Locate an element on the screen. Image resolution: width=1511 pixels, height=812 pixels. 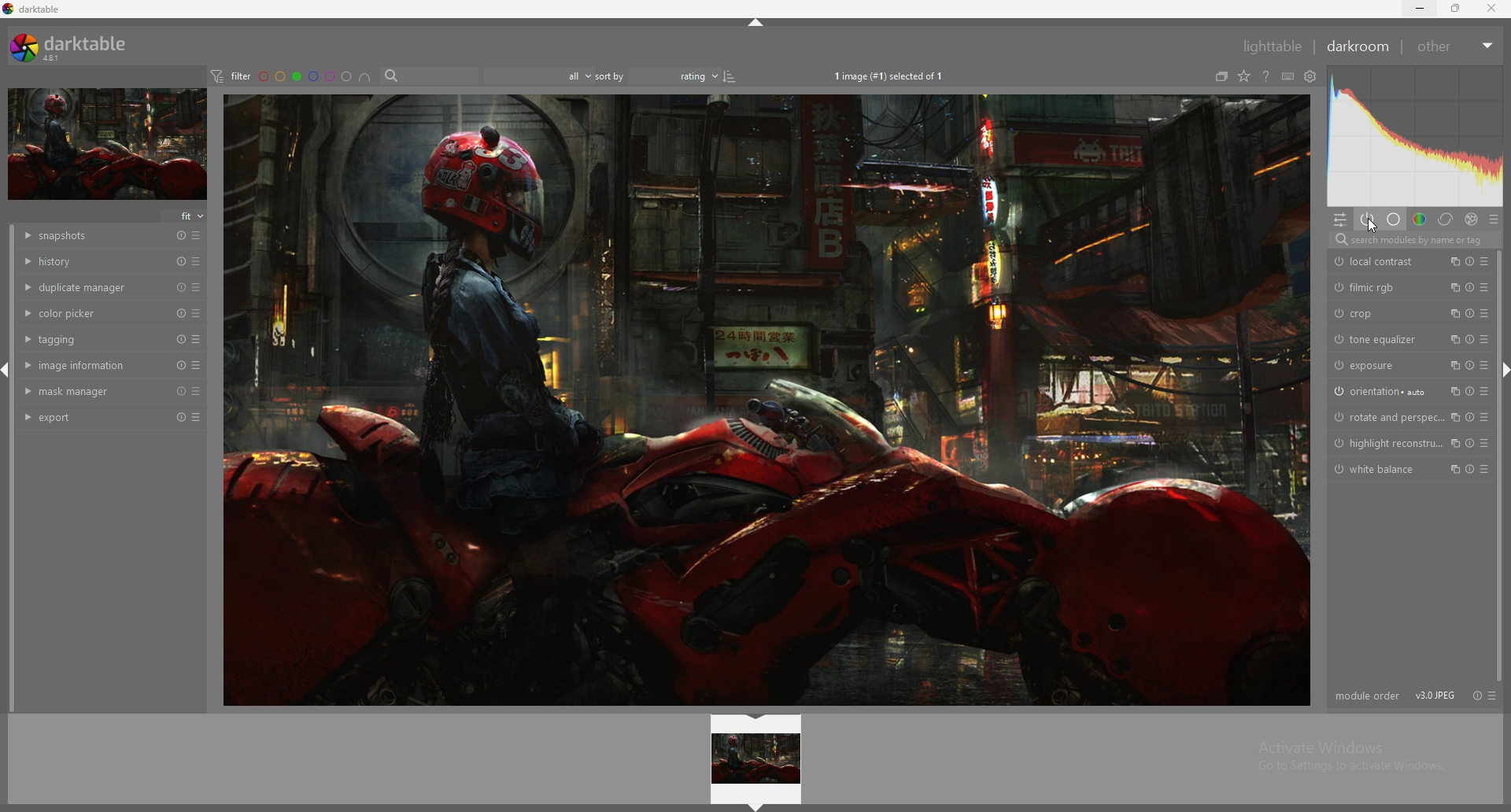
presets is located at coordinates (1492, 696).